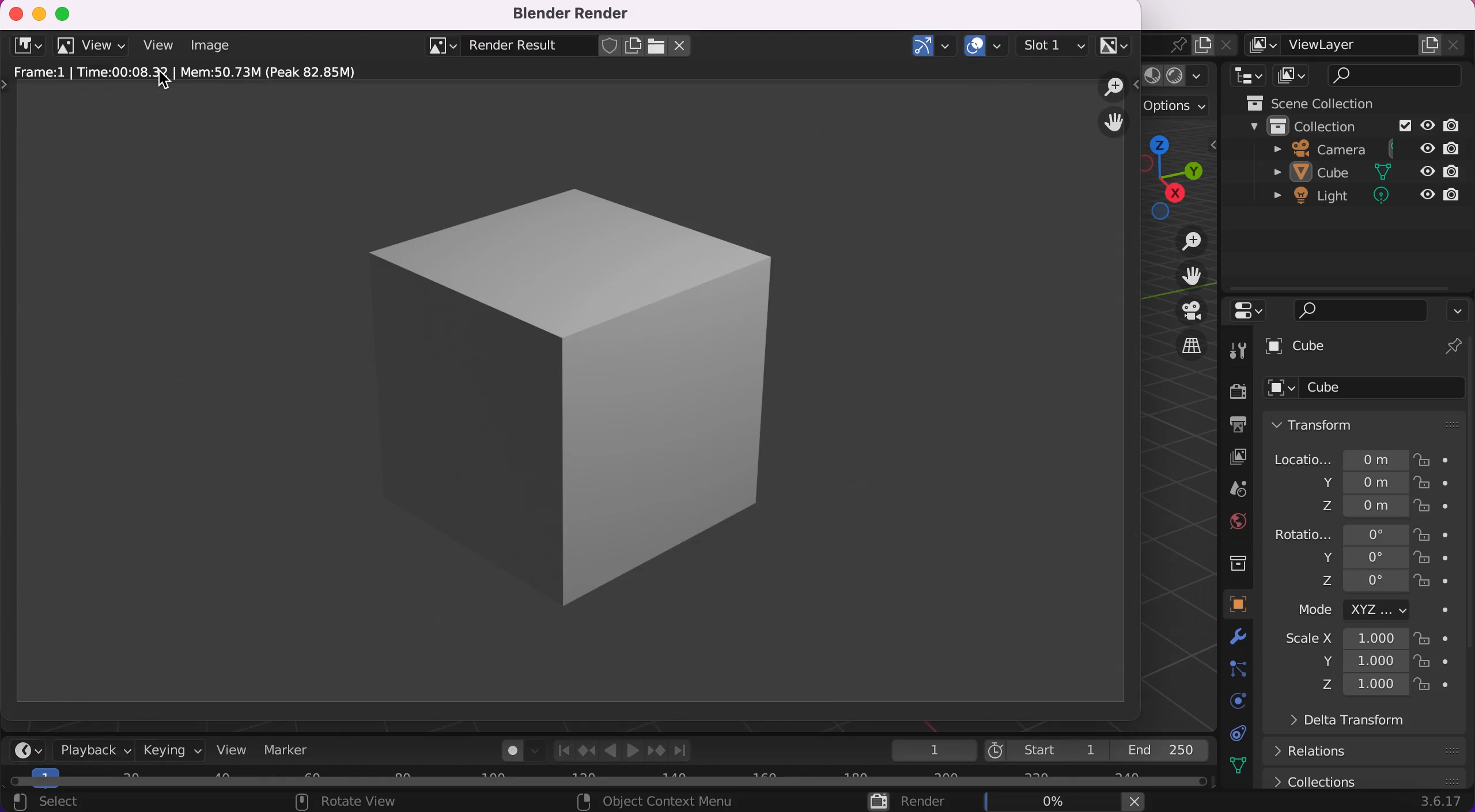  What do you see at coordinates (609, 45) in the screenshot?
I see `fake user` at bounding box center [609, 45].